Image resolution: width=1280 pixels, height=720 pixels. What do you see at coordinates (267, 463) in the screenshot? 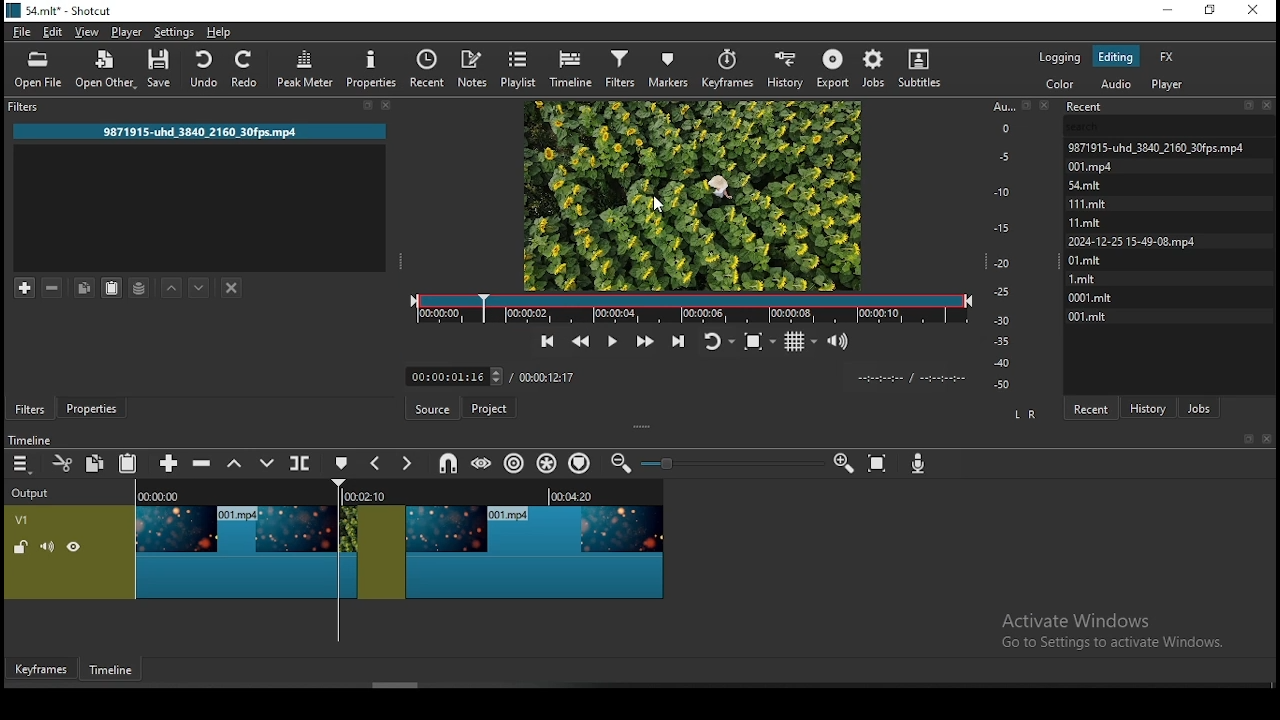
I see `overwrite` at bounding box center [267, 463].